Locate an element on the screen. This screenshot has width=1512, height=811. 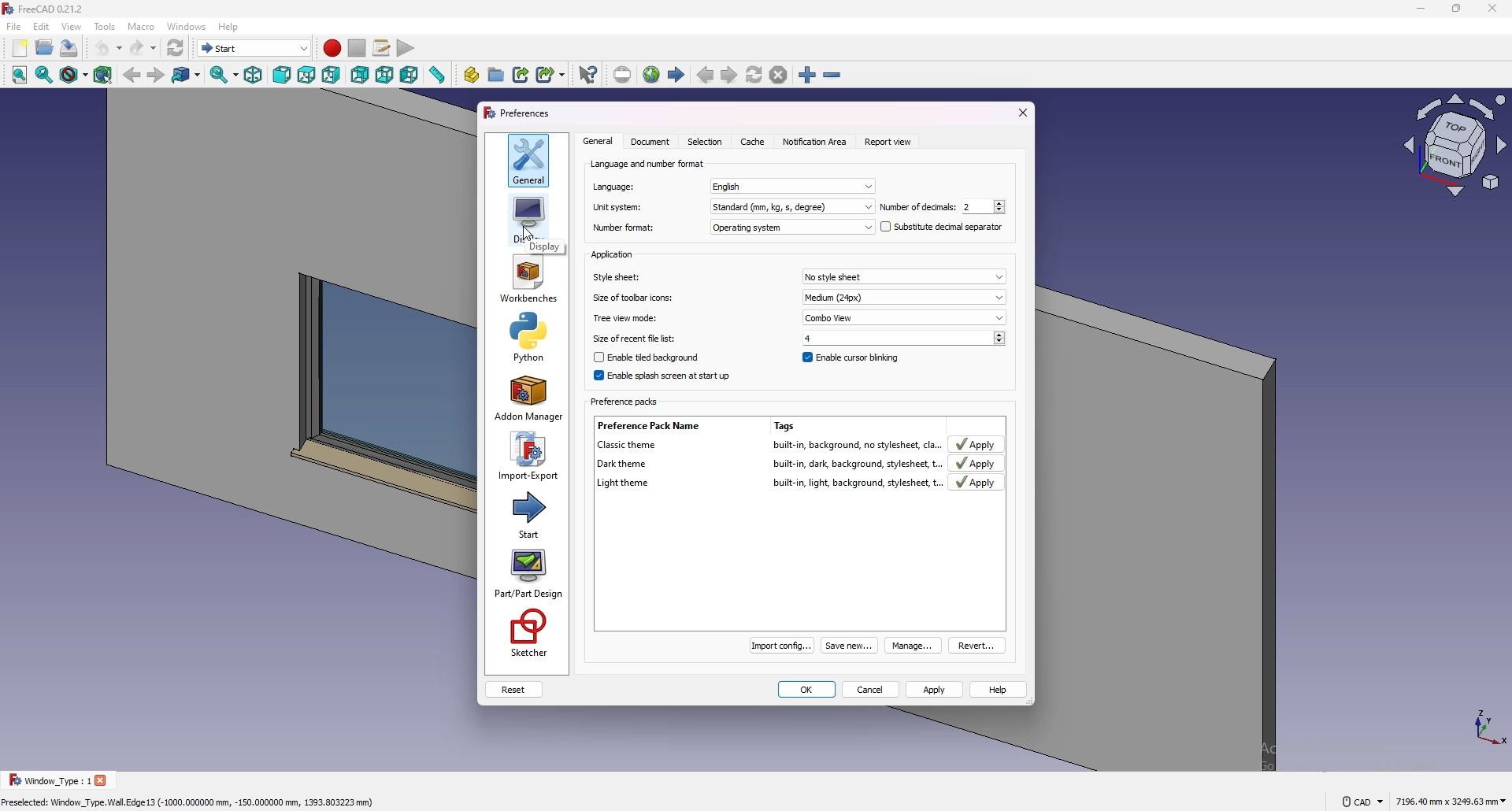
view is located at coordinates (72, 26).